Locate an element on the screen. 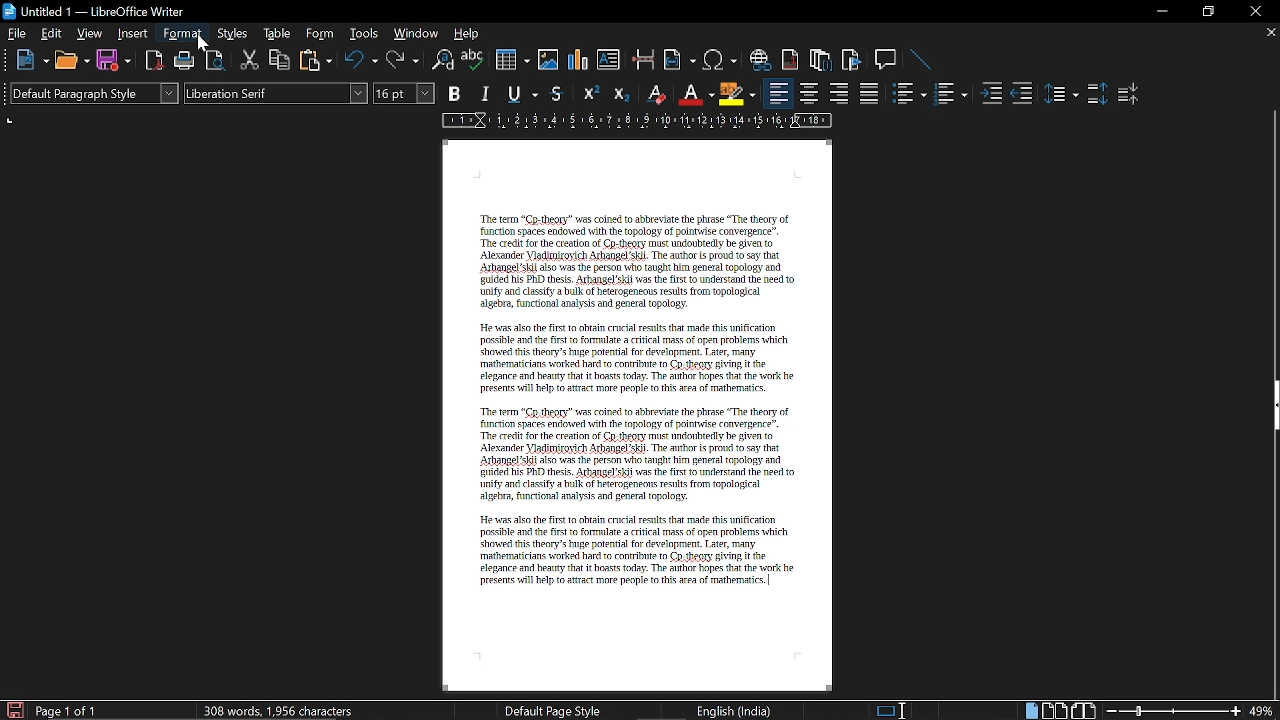 The width and height of the screenshot is (1280, 720). Underline is located at coordinates (524, 95).